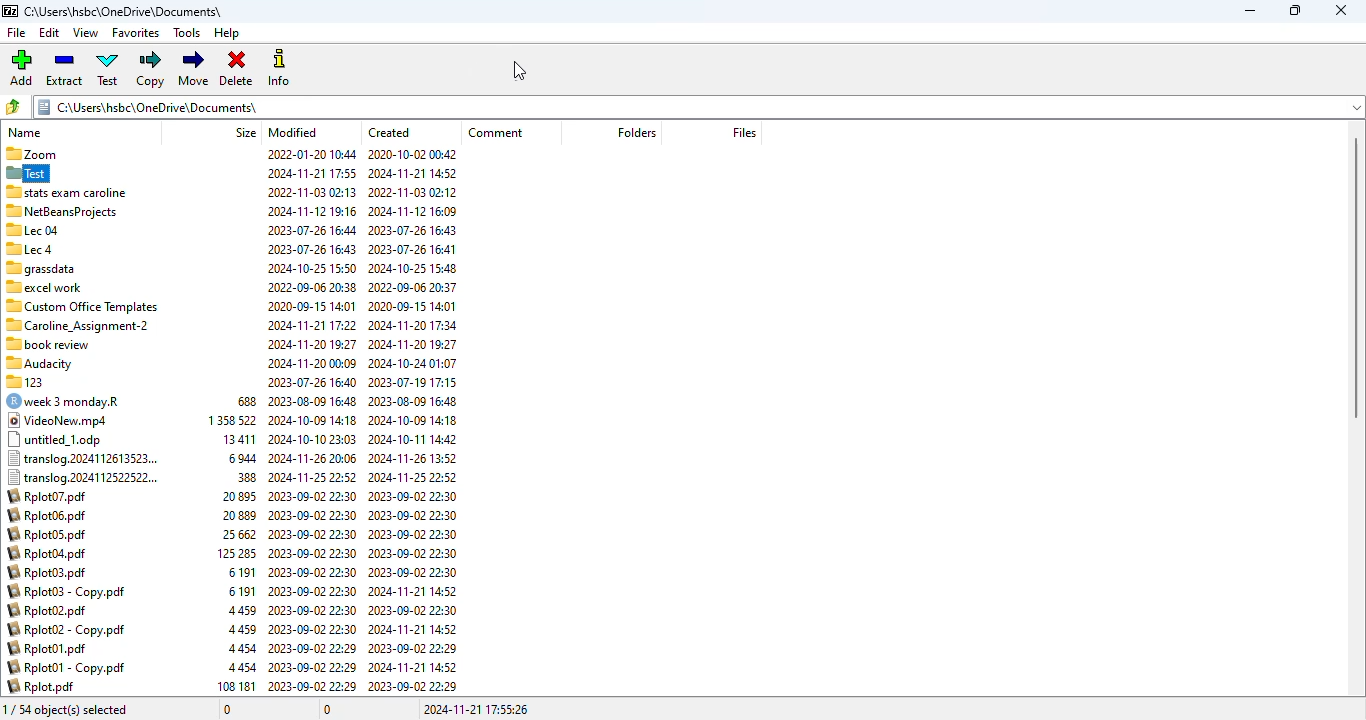 This screenshot has width=1366, height=720. Describe the element at coordinates (234, 686) in the screenshot. I see `108 181` at that location.